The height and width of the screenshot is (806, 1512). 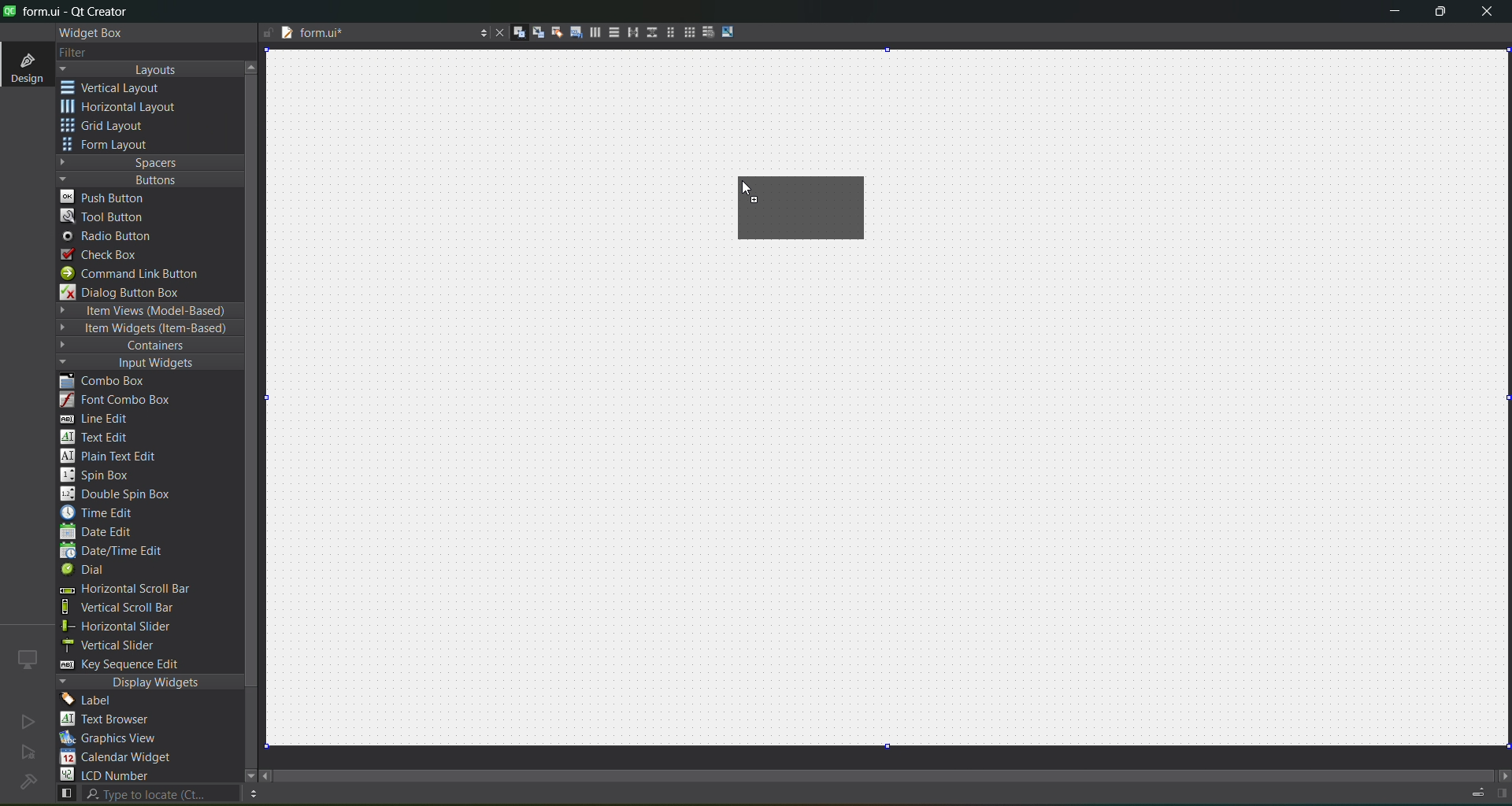 I want to click on horizontal layout, so click(x=813, y=211).